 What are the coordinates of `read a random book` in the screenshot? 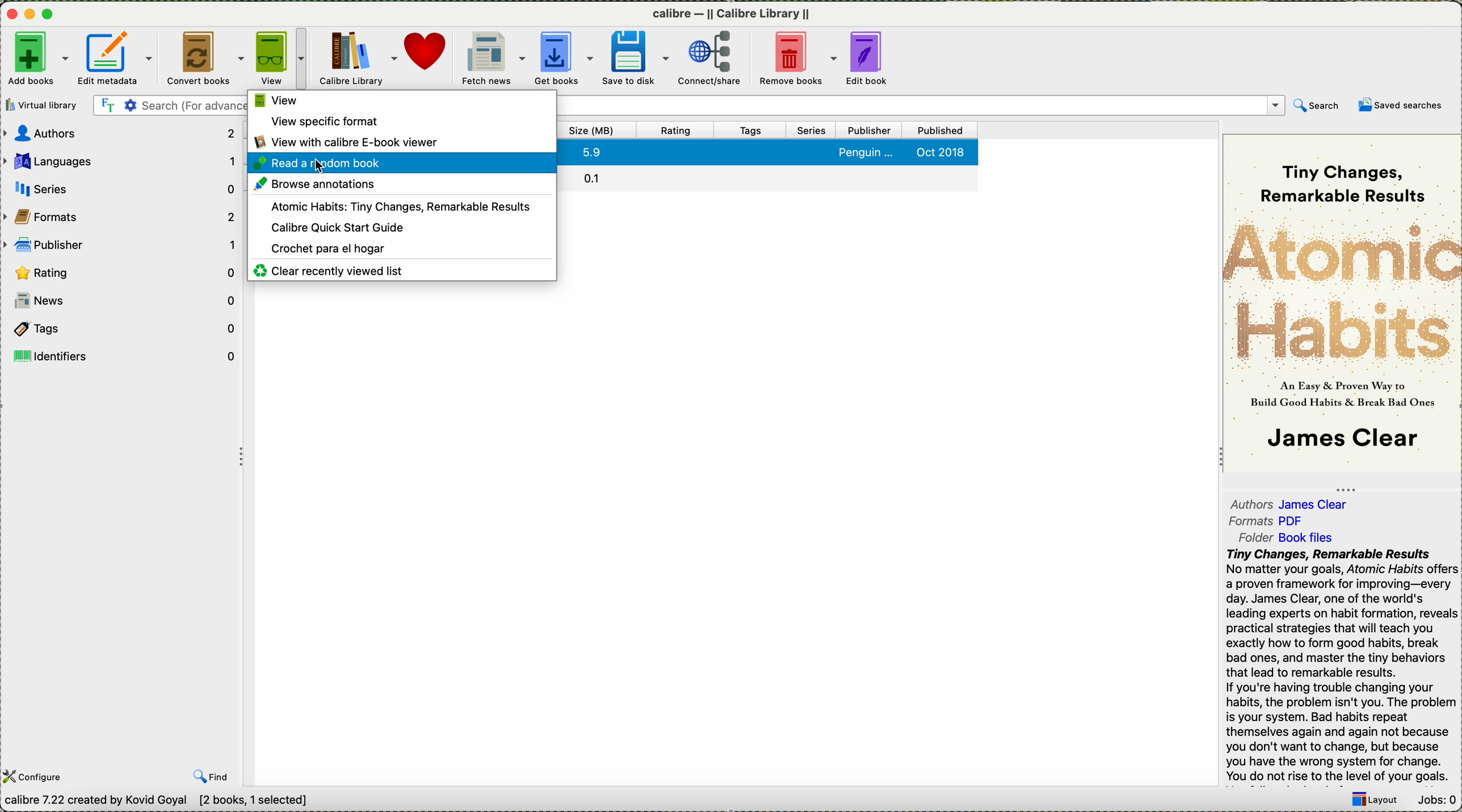 It's located at (403, 163).